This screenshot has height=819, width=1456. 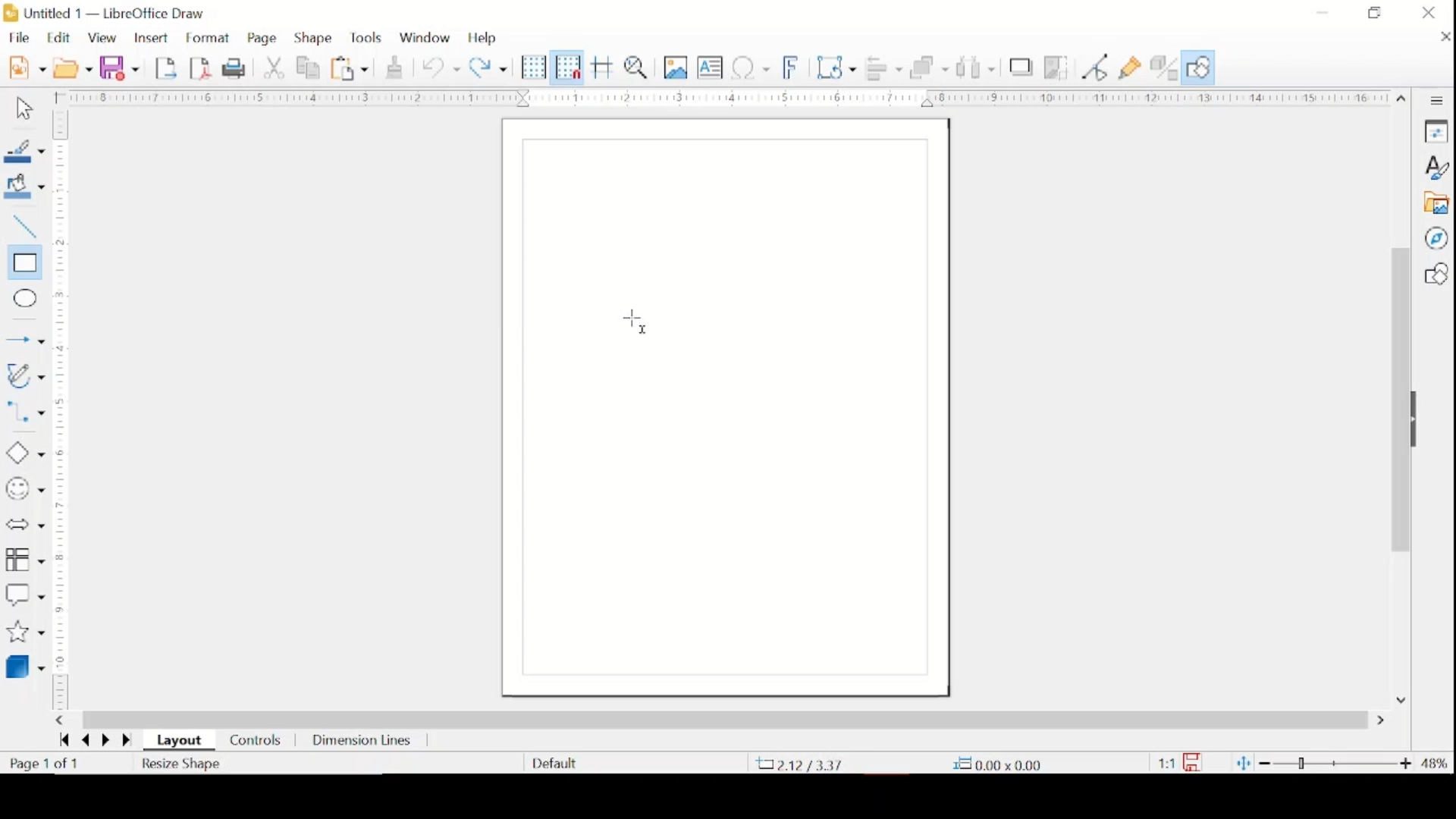 I want to click on toggle point edit mode, so click(x=1096, y=67).